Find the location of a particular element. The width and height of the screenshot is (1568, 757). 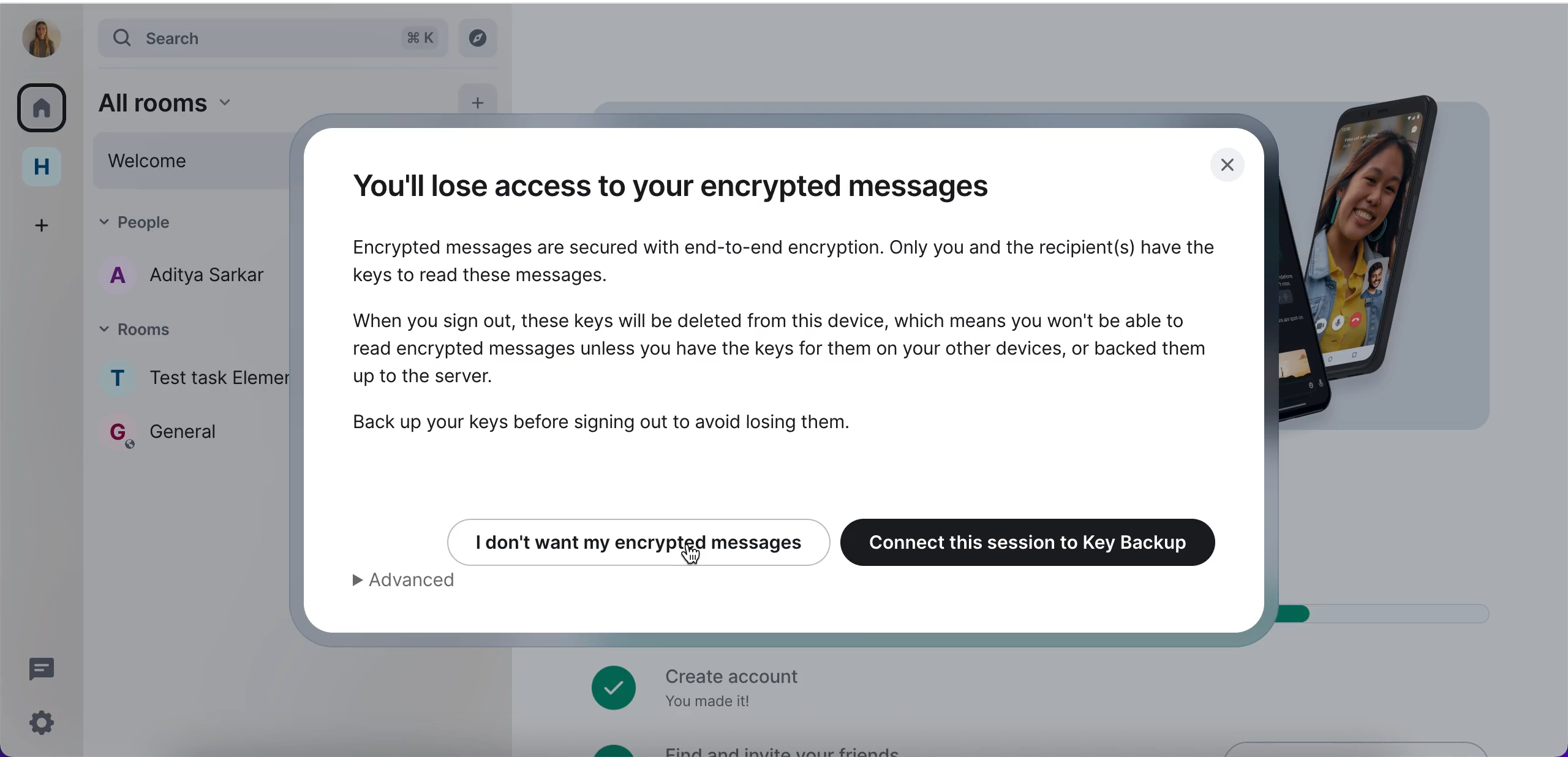

image is located at coordinates (1409, 255).